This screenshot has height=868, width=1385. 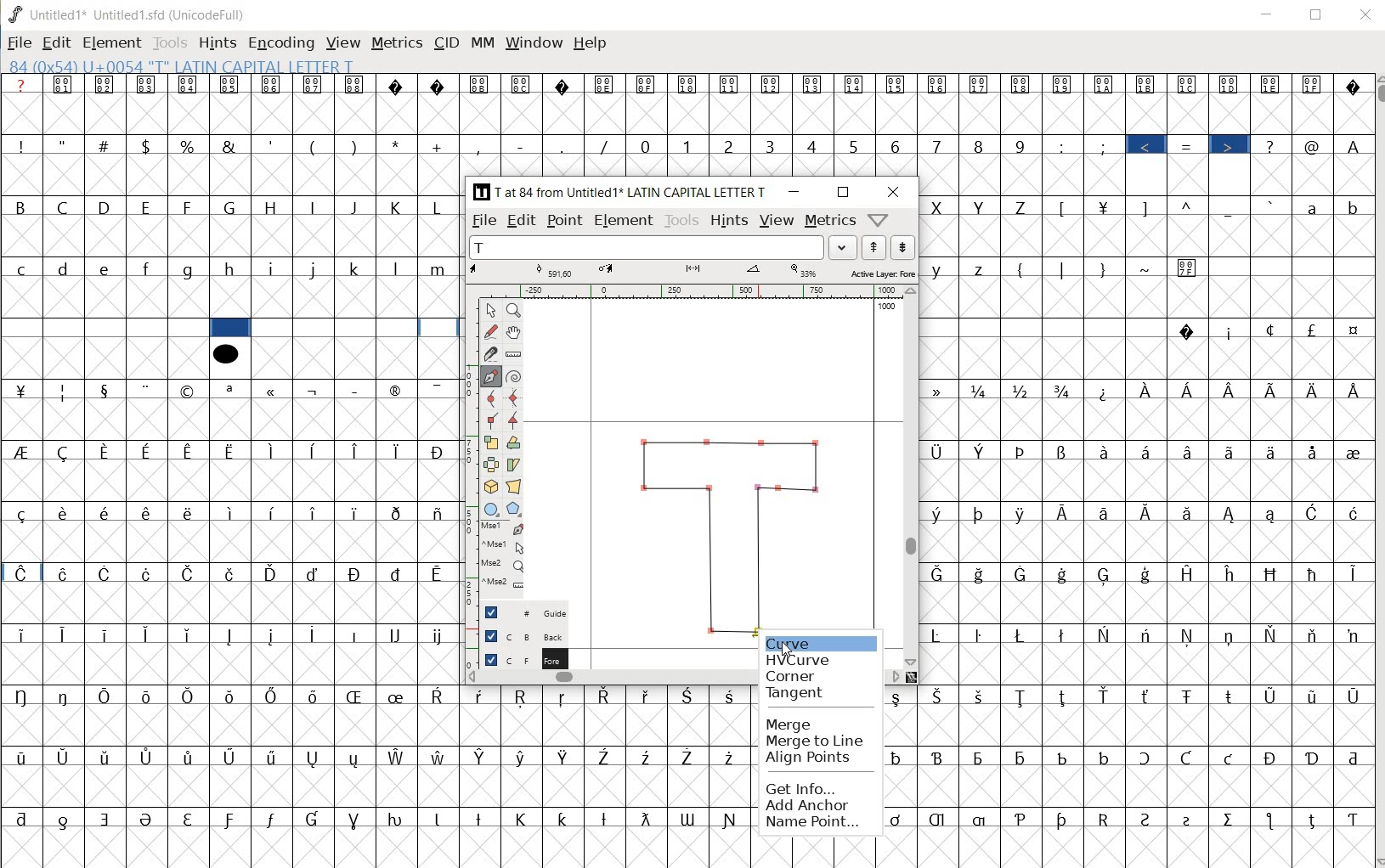 I want to click on :, so click(x=1063, y=145).